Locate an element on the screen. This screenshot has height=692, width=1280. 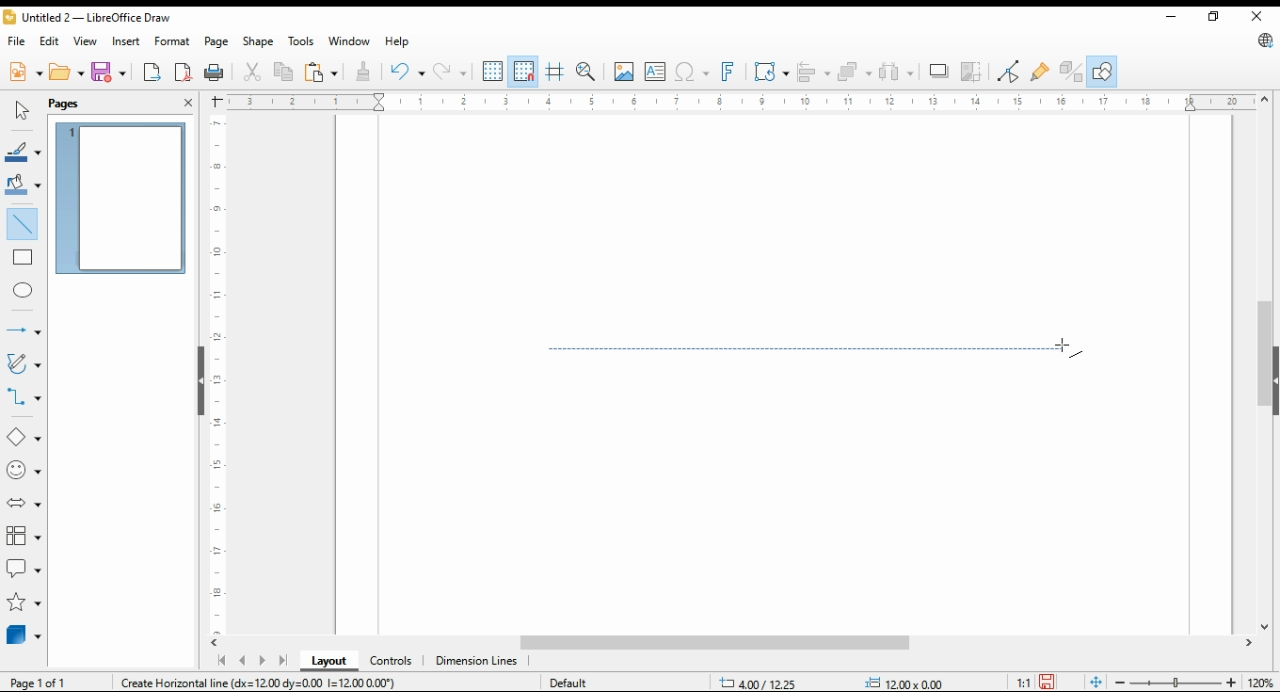
toggle point edit mode is located at coordinates (1009, 71).